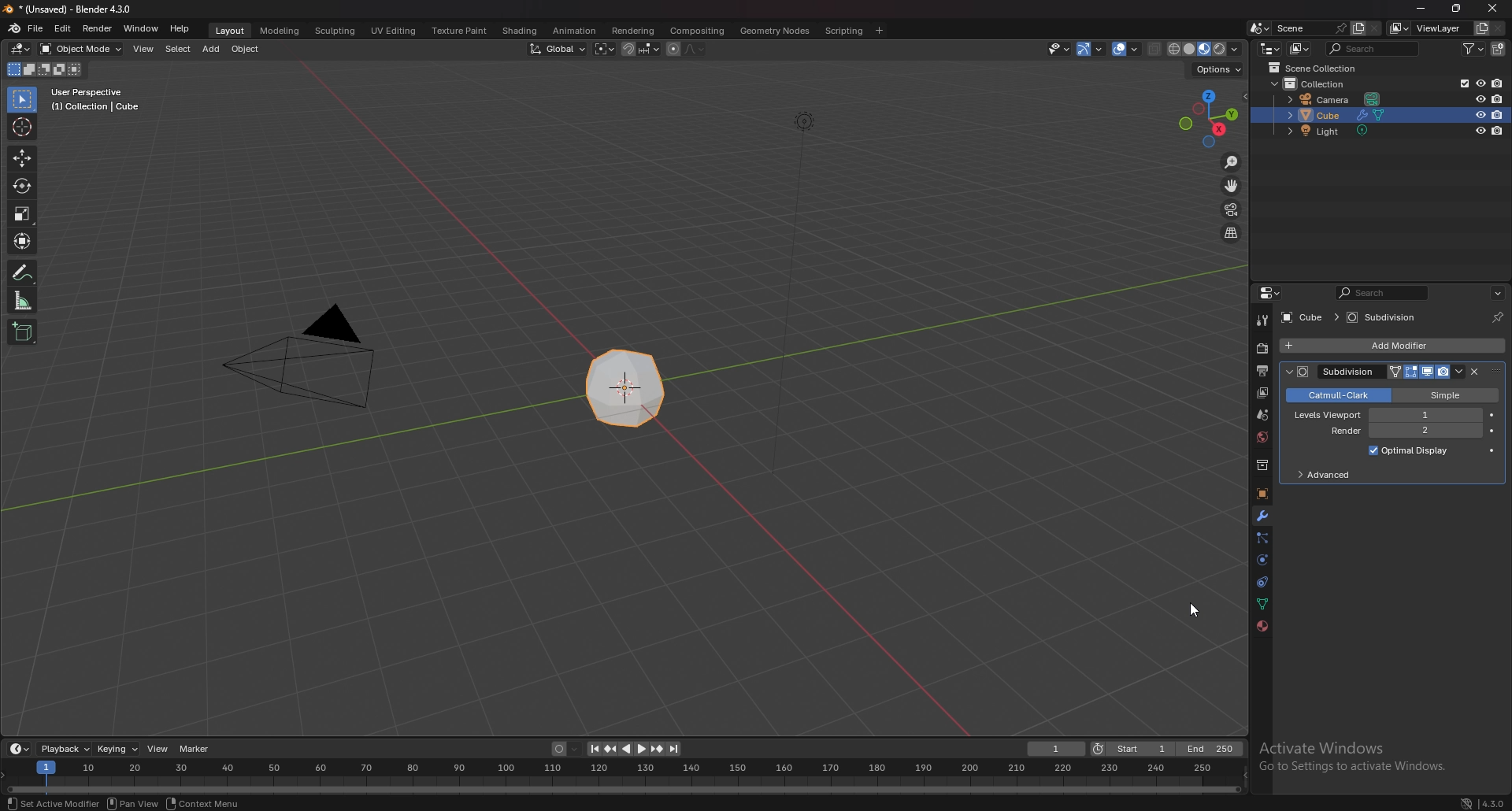 This screenshot has width=1512, height=811. Describe the element at coordinates (1498, 49) in the screenshot. I see `add collection` at that location.